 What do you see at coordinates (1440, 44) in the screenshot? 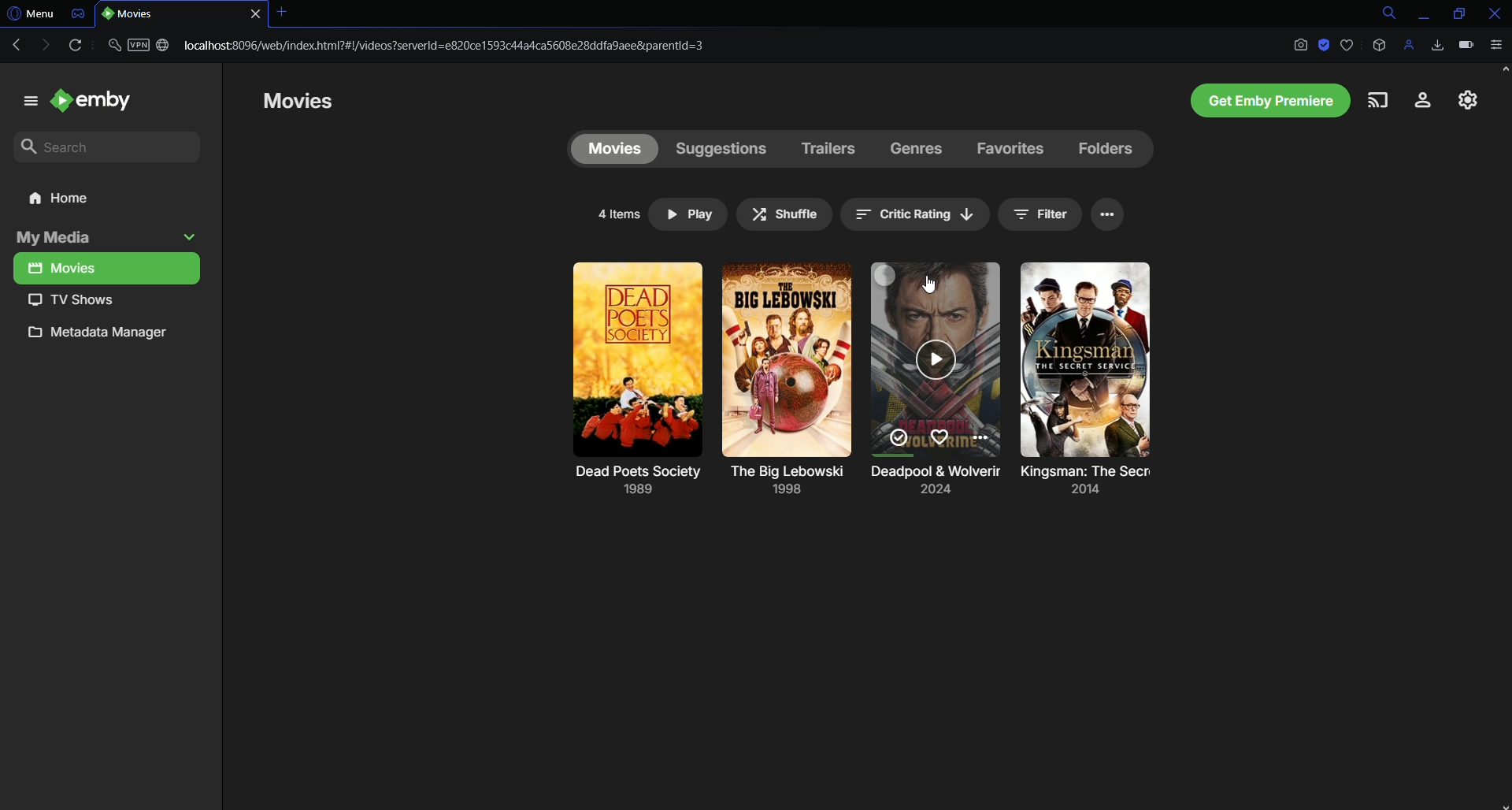
I see `Downloads` at bounding box center [1440, 44].